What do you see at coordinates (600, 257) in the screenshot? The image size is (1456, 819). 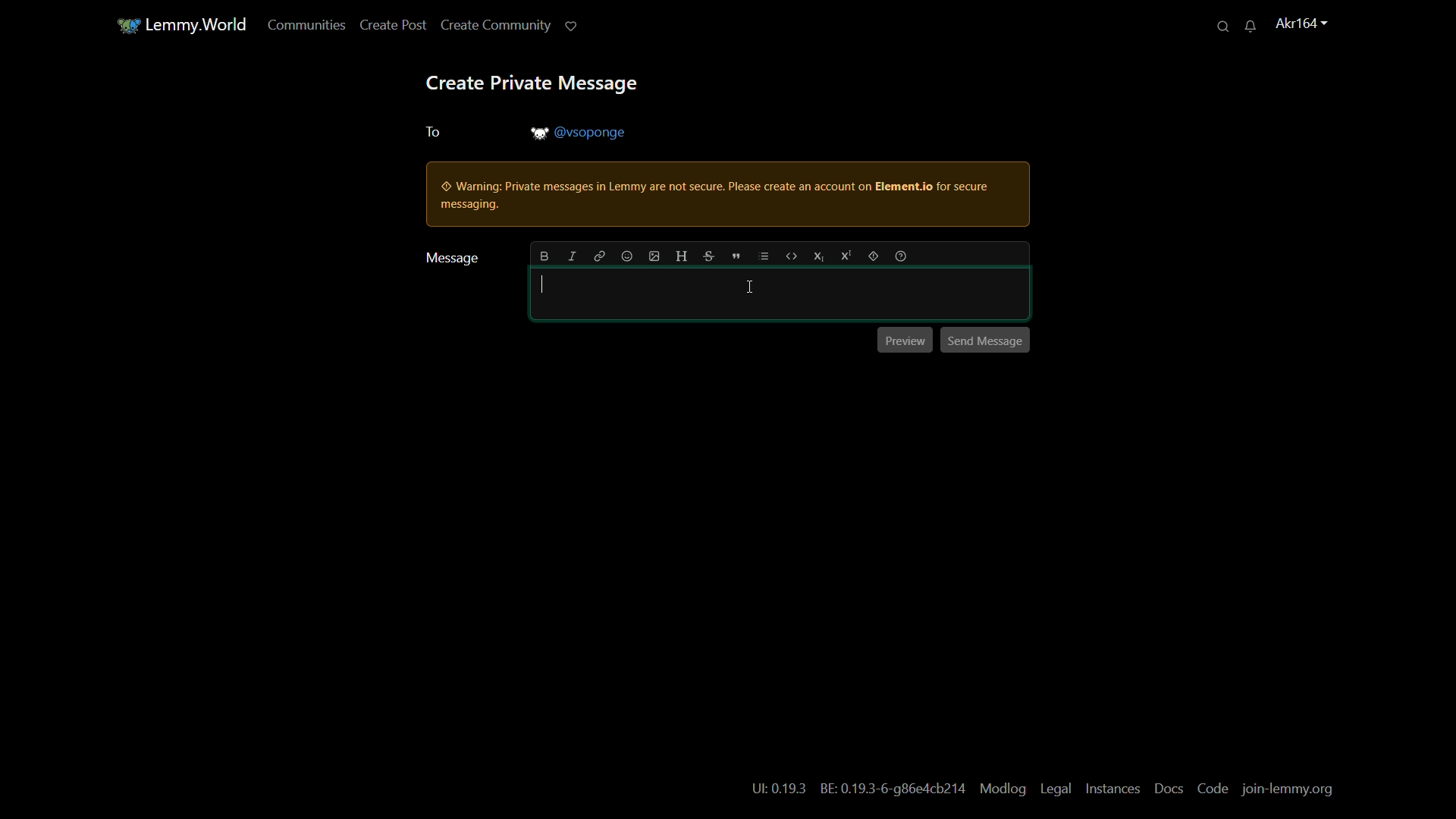 I see `link` at bounding box center [600, 257].